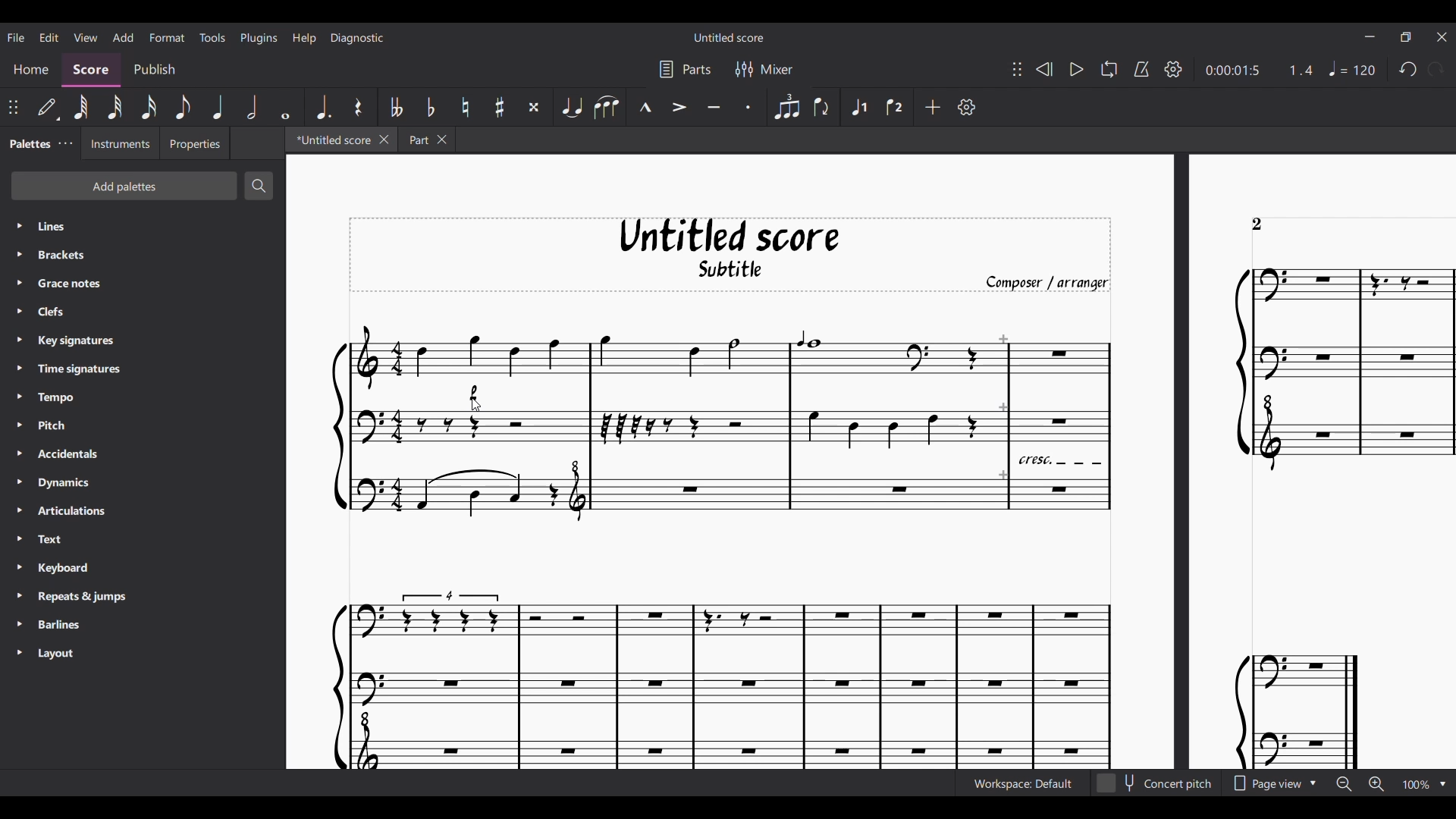 This screenshot has width=1456, height=819. I want to click on Whole note, so click(285, 106).